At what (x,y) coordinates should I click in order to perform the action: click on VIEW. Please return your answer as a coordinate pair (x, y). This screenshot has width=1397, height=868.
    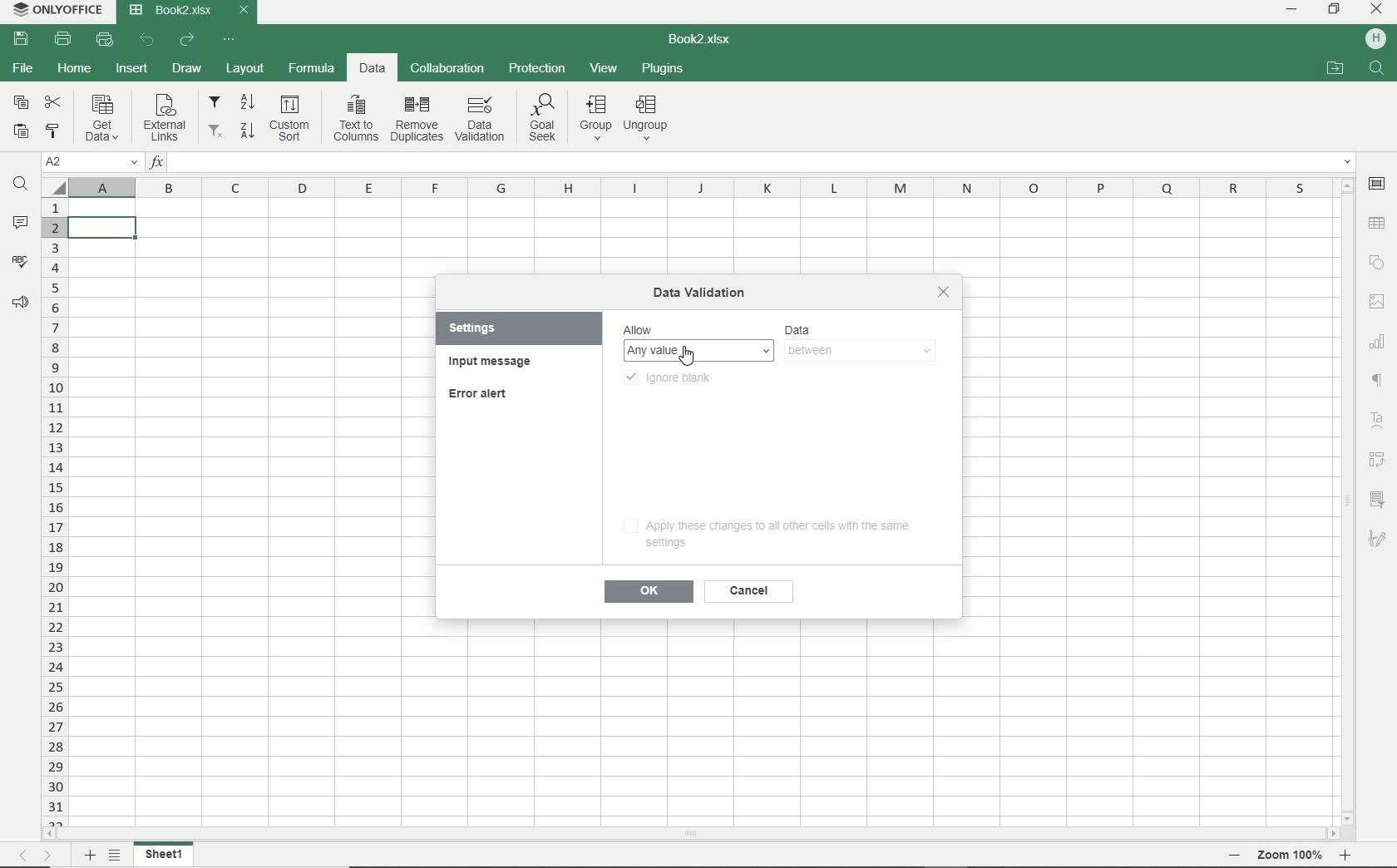
    Looking at the image, I should click on (605, 67).